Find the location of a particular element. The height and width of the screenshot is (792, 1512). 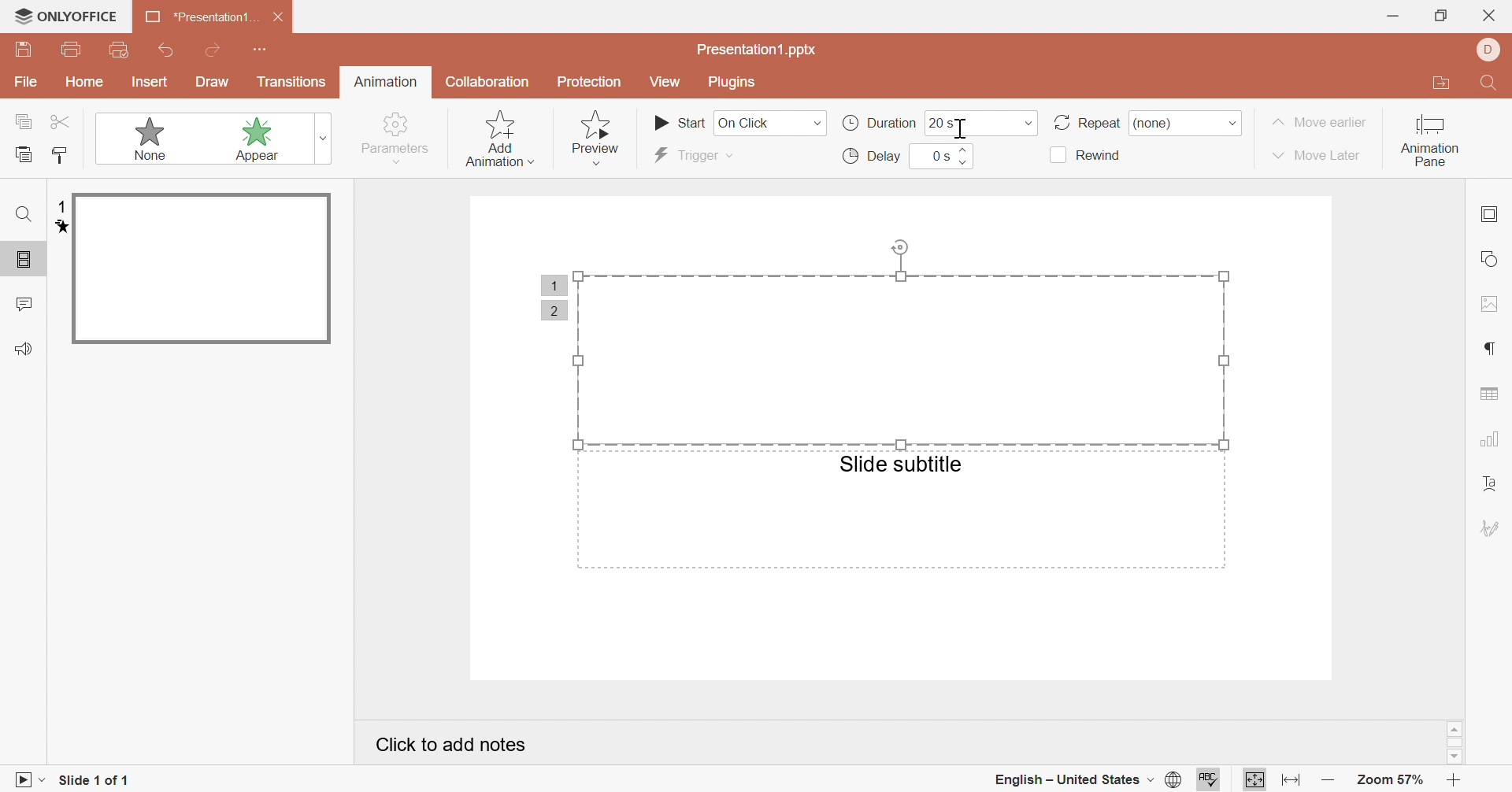

add animation is located at coordinates (497, 137).